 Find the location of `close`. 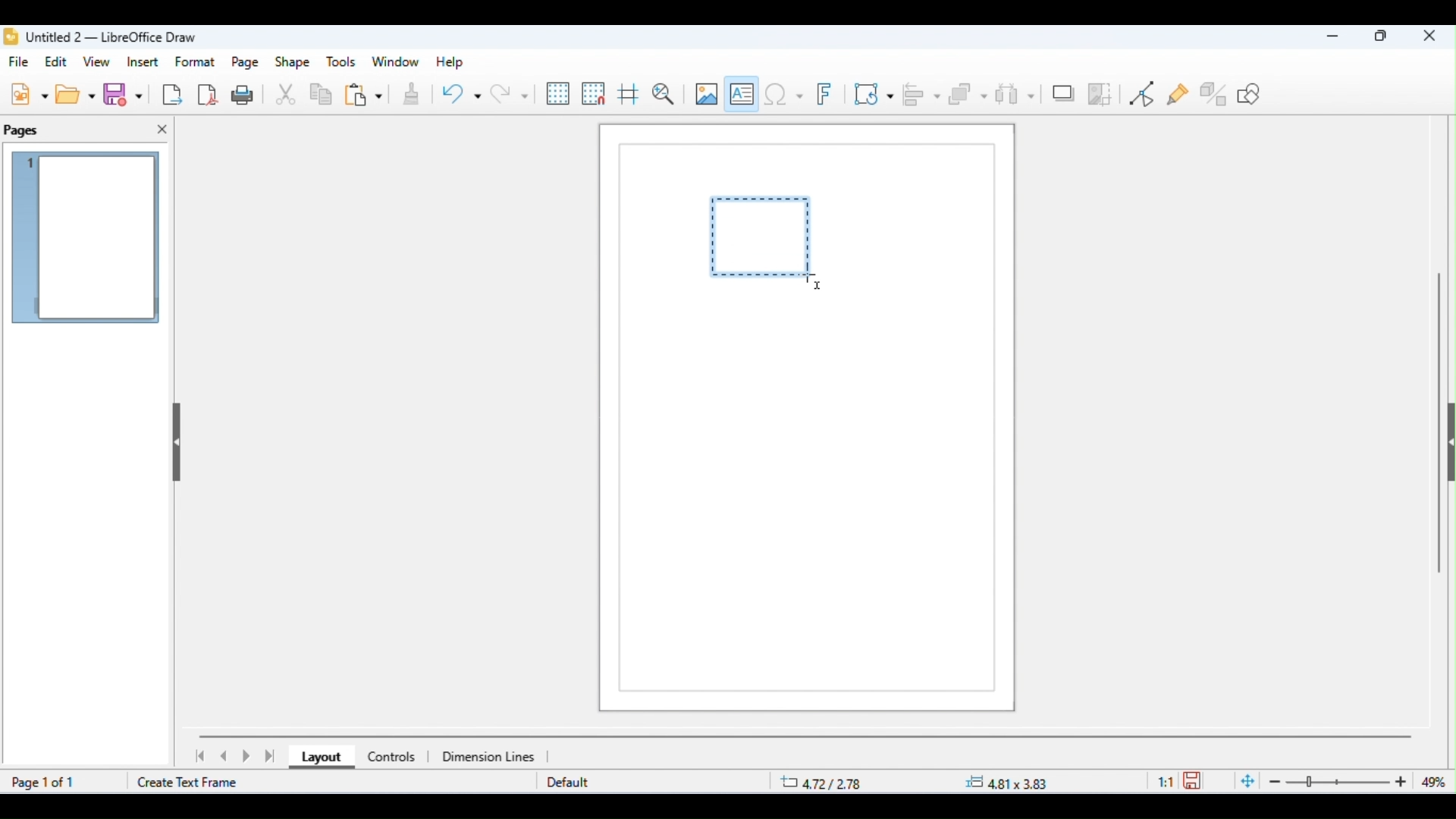

close is located at coordinates (1429, 37).